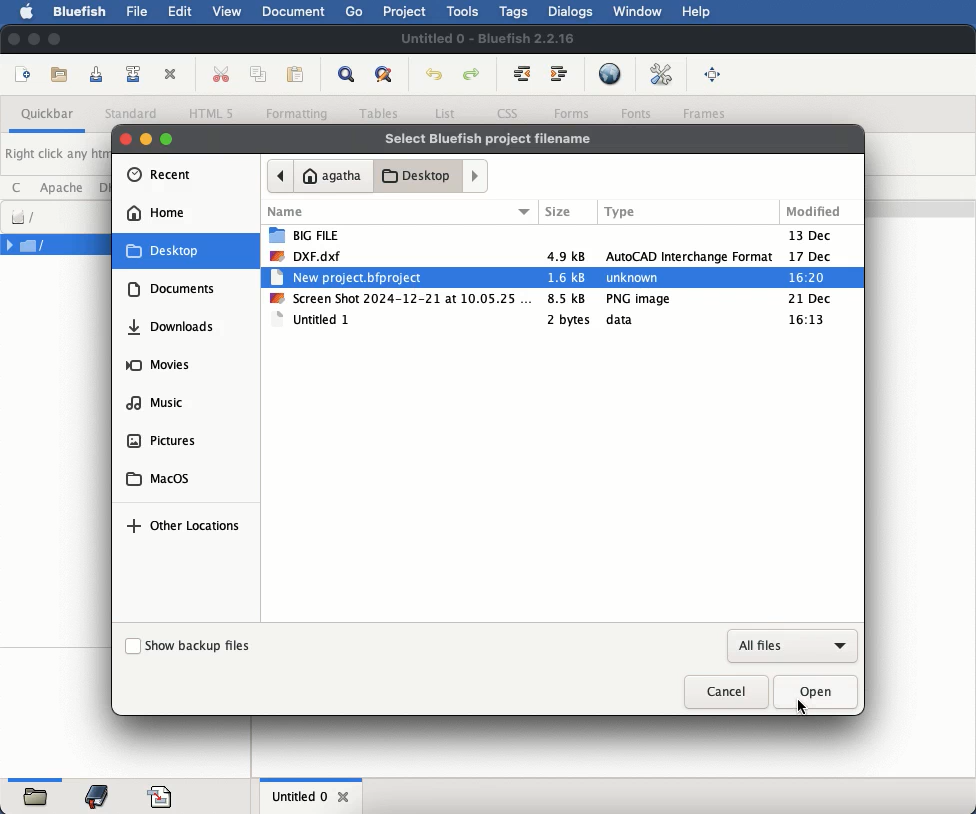 The height and width of the screenshot is (814, 976). What do you see at coordinates (443, 114) in the screenshot?
I see `list` at bounding box center [443, 114].